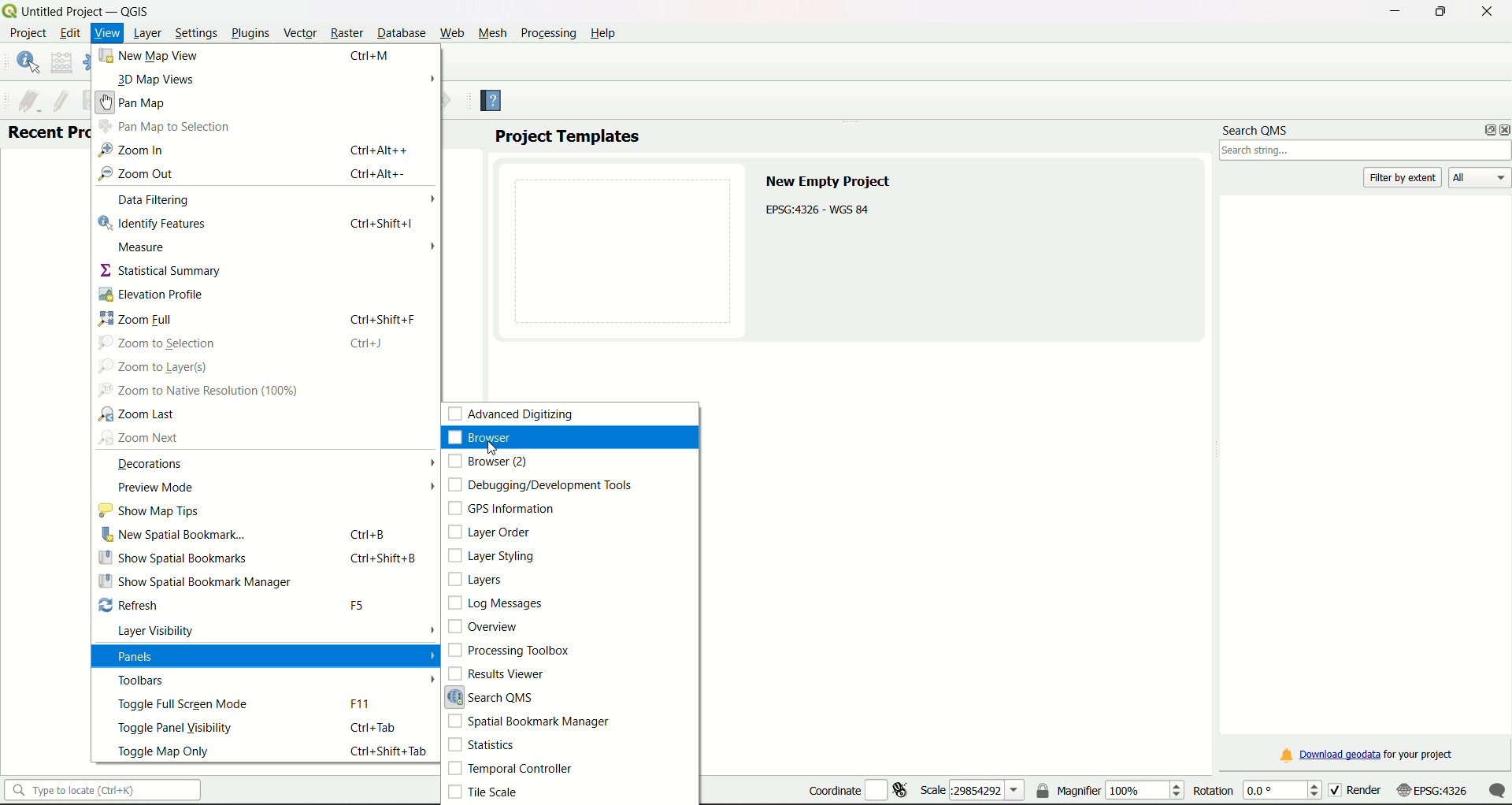 Image resolution: width=1512 pixels, height=805 pixels. Describe the element at coordinates (832, 198) in the screenshot. I see `text` at that location.